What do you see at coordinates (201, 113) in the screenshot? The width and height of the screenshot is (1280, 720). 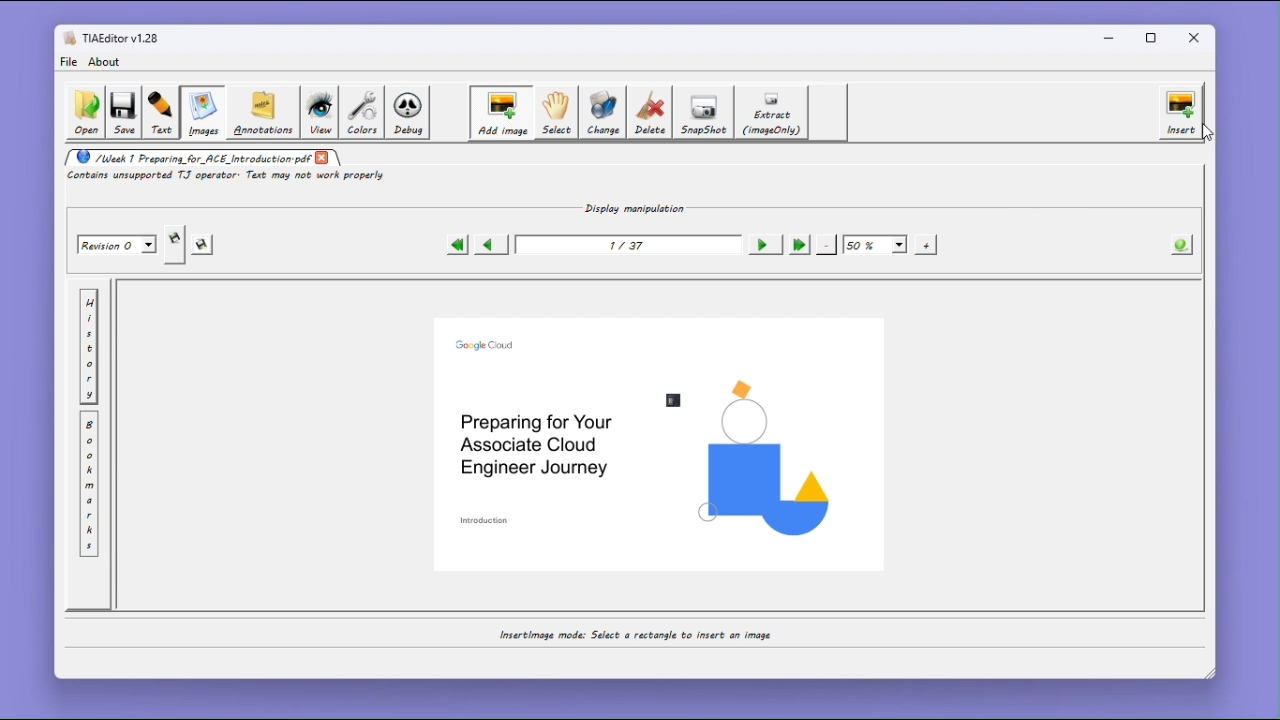 I see `Images` at bounding box center [201, 113].